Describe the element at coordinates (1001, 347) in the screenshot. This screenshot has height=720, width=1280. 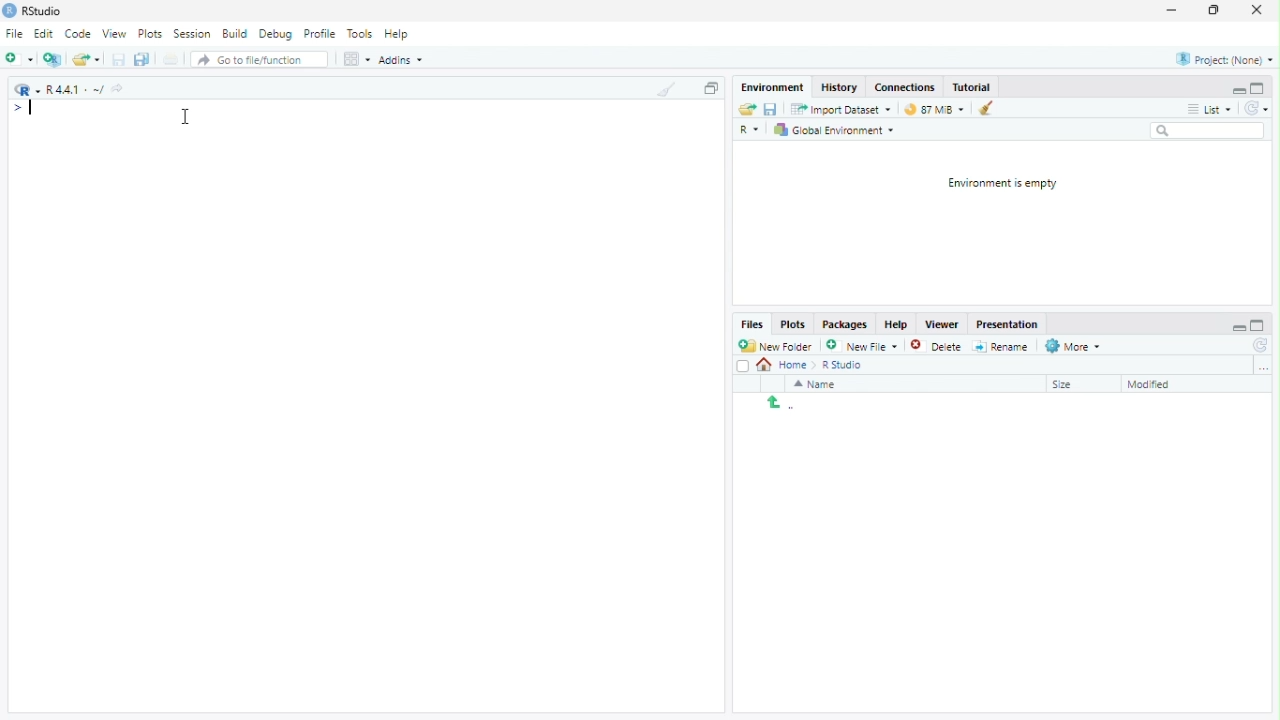
I see `Rename` at that location.